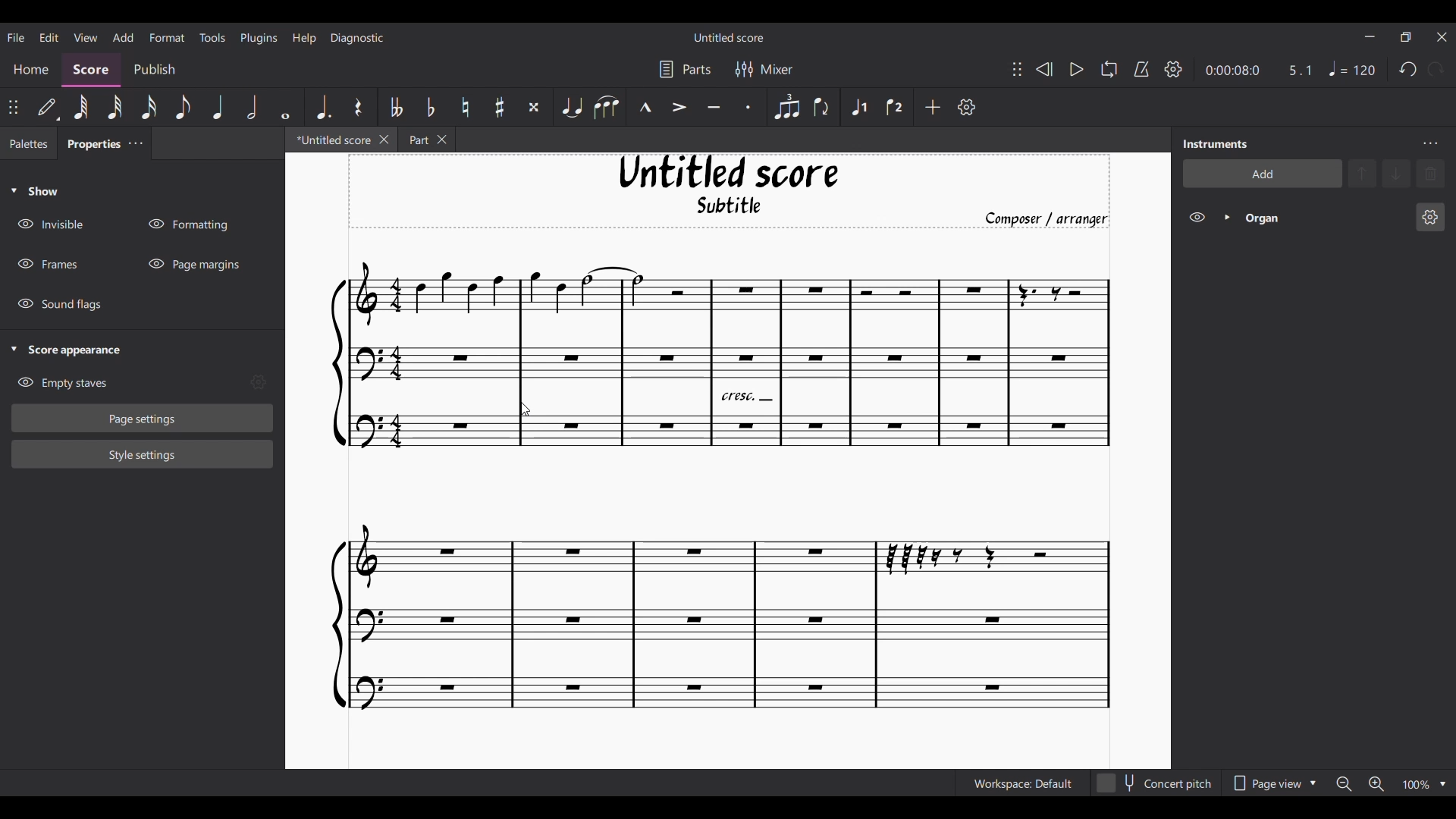  Describe the element at coordinates (465, 107) in the screenshot. I see `Toggle natural` at that location.